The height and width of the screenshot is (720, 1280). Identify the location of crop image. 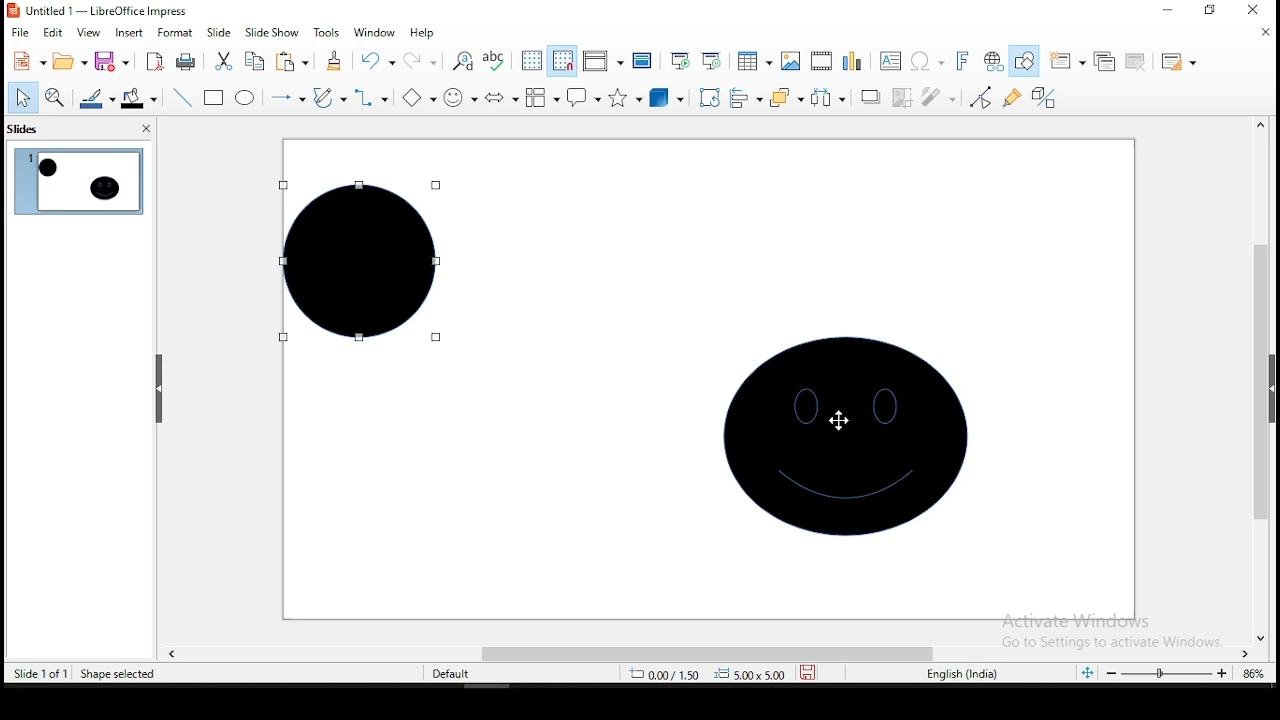
(902, 97).